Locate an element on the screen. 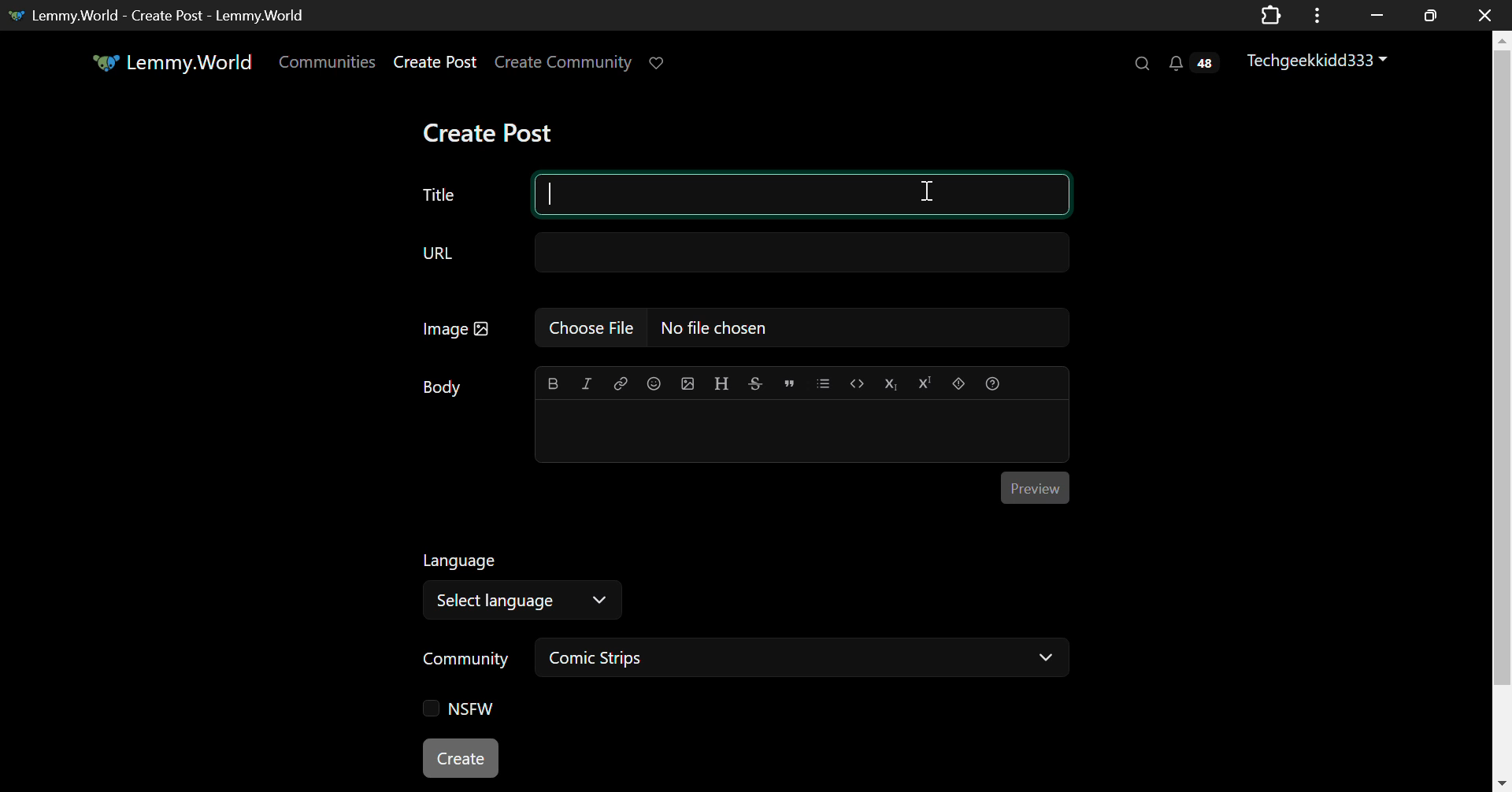  strikethrough is located at coordinates (755, 384).